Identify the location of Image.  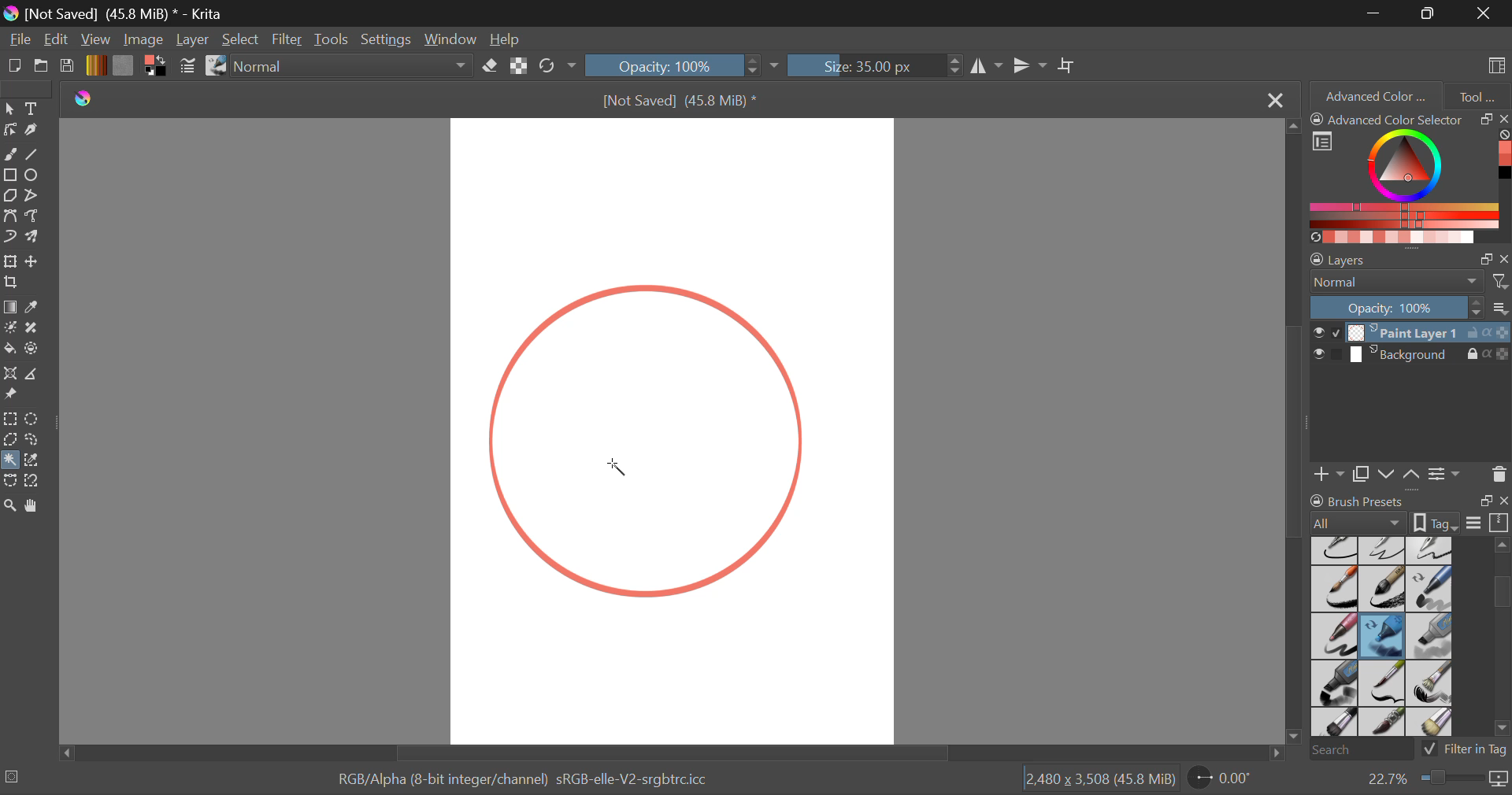
(145, 39).